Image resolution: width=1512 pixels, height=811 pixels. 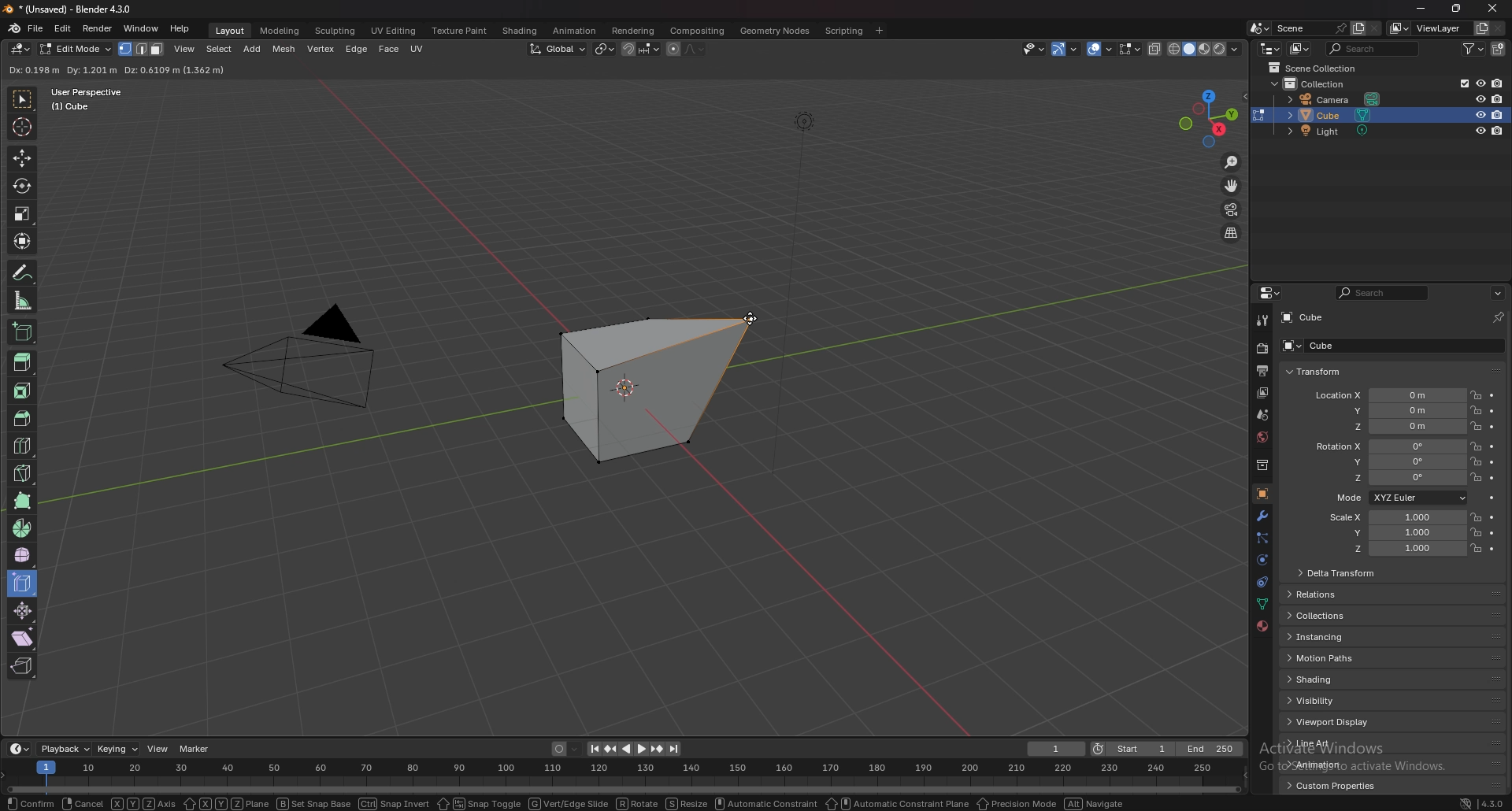 What do you see at coordinates (1493, 447) in the screenshot?
I see `animate property` at bounding box center [1493, 447].